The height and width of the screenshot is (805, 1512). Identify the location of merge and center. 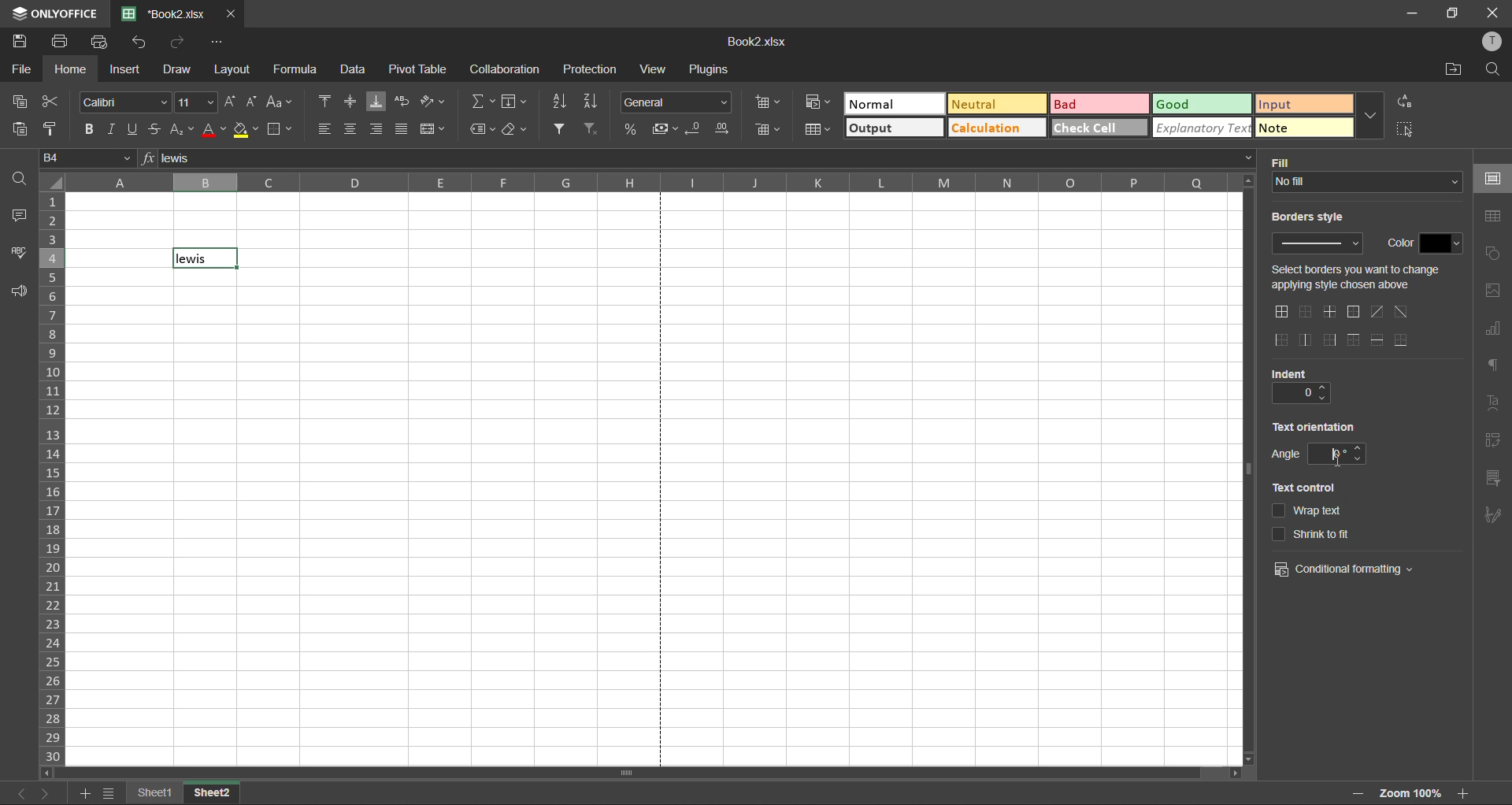
(436, 129).